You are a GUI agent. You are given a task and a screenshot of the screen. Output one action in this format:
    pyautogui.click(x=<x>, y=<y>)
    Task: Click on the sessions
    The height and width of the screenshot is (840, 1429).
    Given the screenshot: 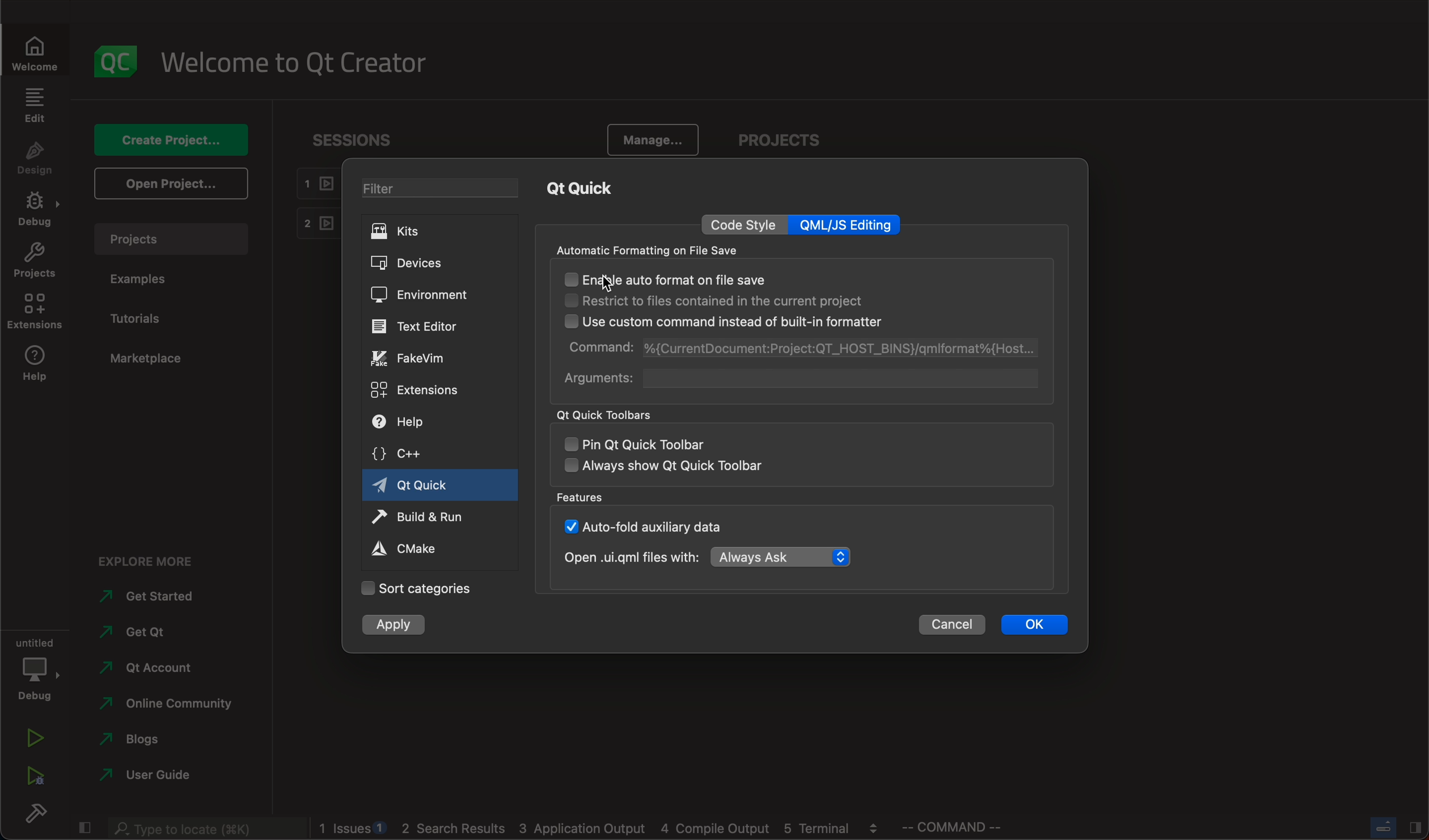 What is the action you would take?
    pyautogui.click(x=357, y=139)
    